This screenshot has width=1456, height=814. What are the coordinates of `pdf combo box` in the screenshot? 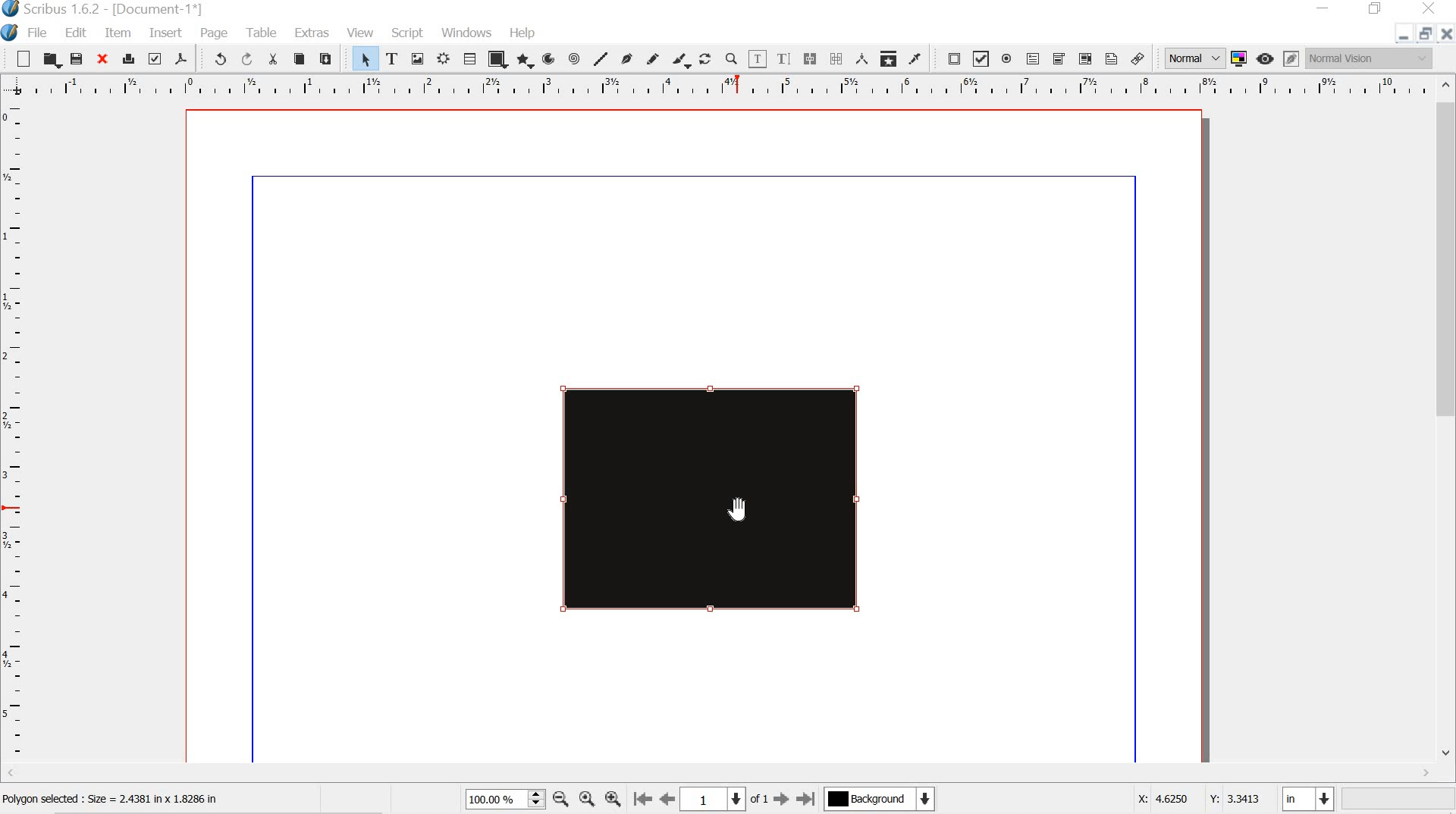 It's located at (1058, 58).